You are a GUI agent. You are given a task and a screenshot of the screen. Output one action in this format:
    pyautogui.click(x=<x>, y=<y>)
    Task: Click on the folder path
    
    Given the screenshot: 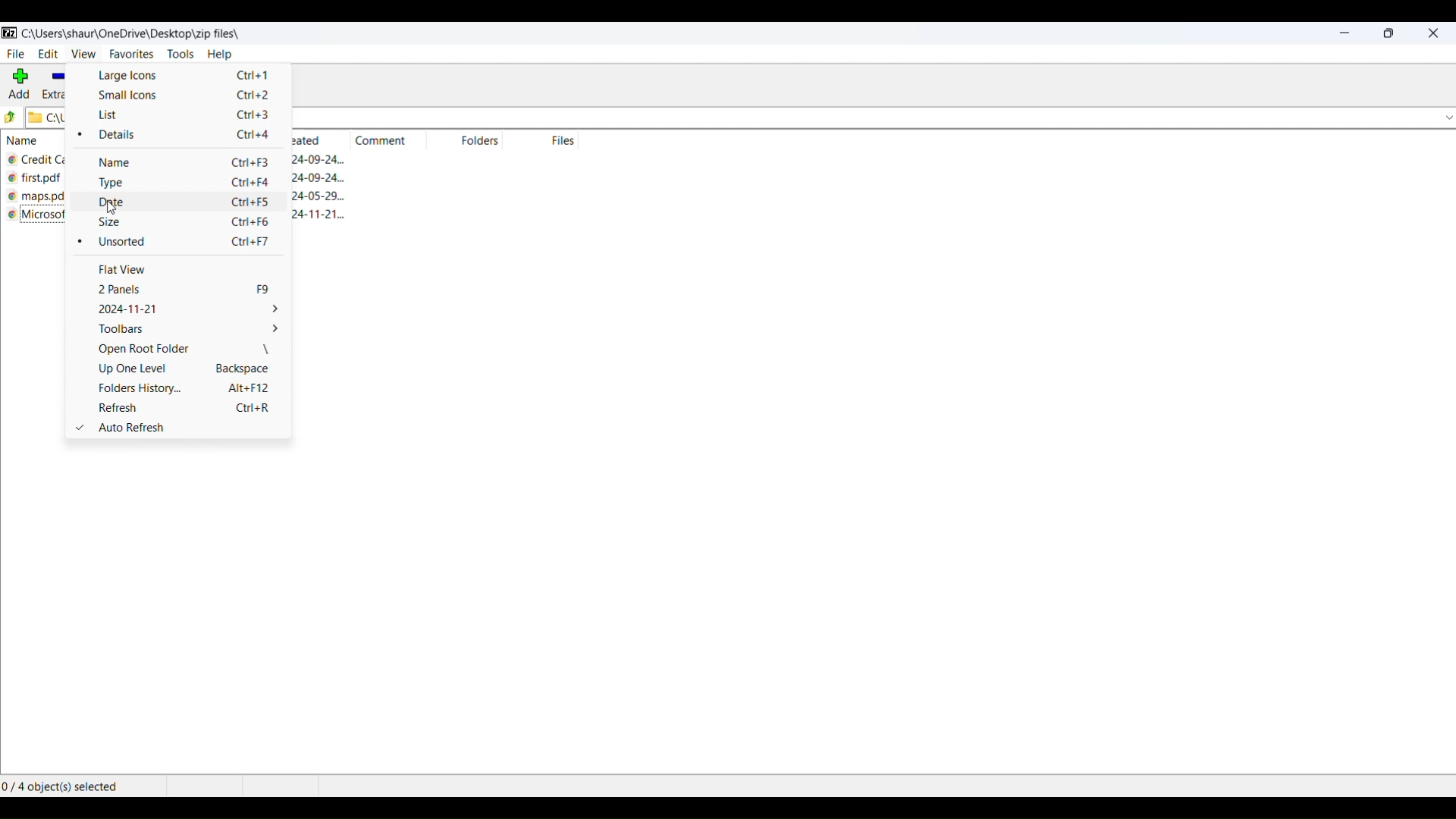 What is the action you would take?
    pyautogui.click(x=49, y=117)
    